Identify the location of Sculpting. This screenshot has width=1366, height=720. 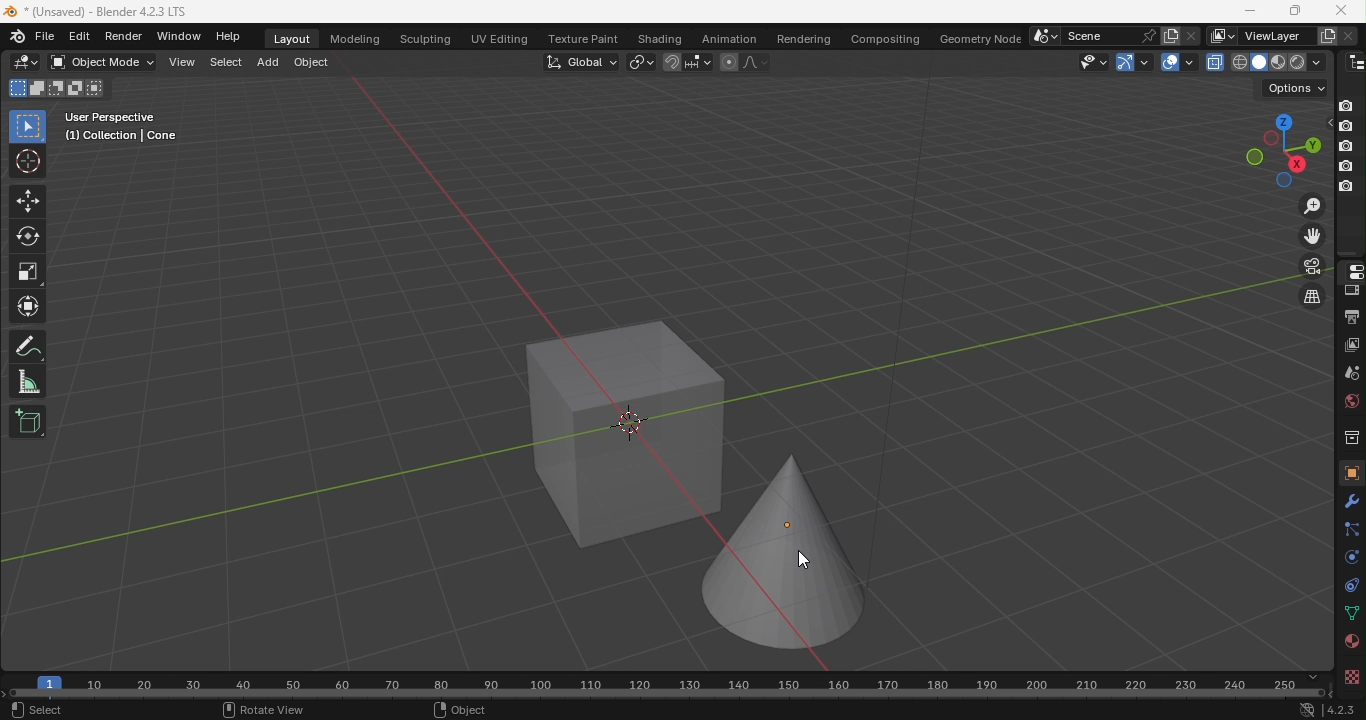
(425, 40).